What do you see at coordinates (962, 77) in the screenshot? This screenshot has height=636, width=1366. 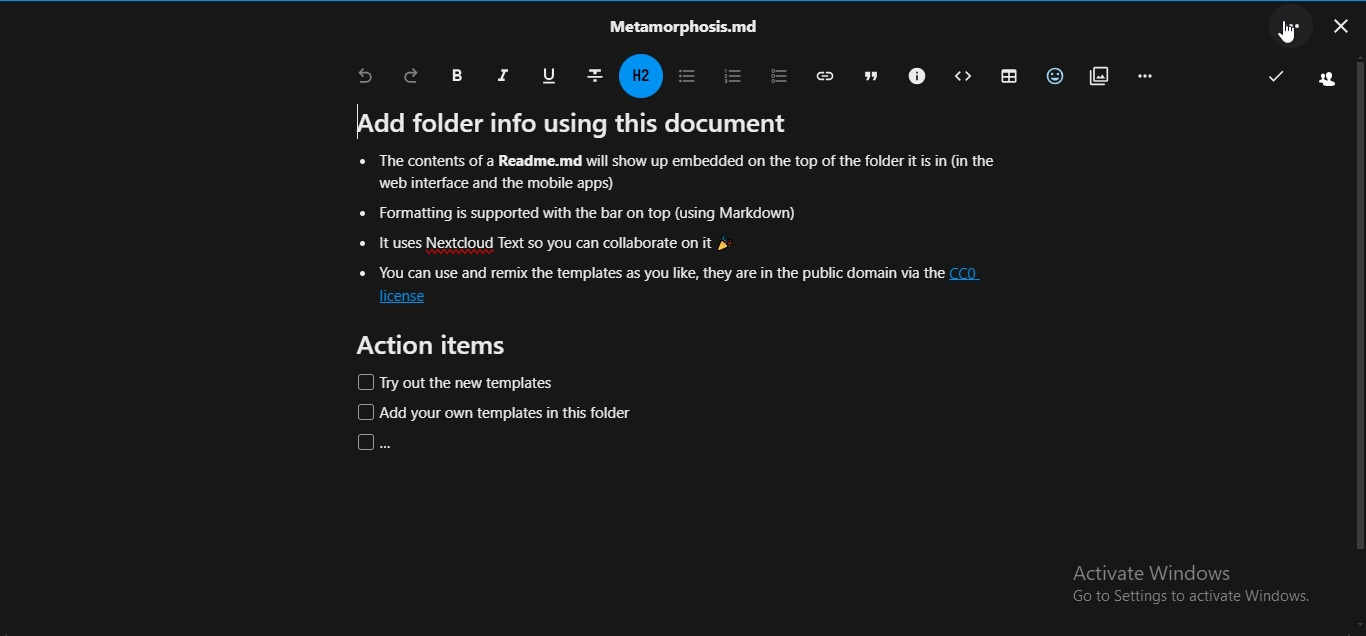 I see `block` at bounding box center [962, 77].